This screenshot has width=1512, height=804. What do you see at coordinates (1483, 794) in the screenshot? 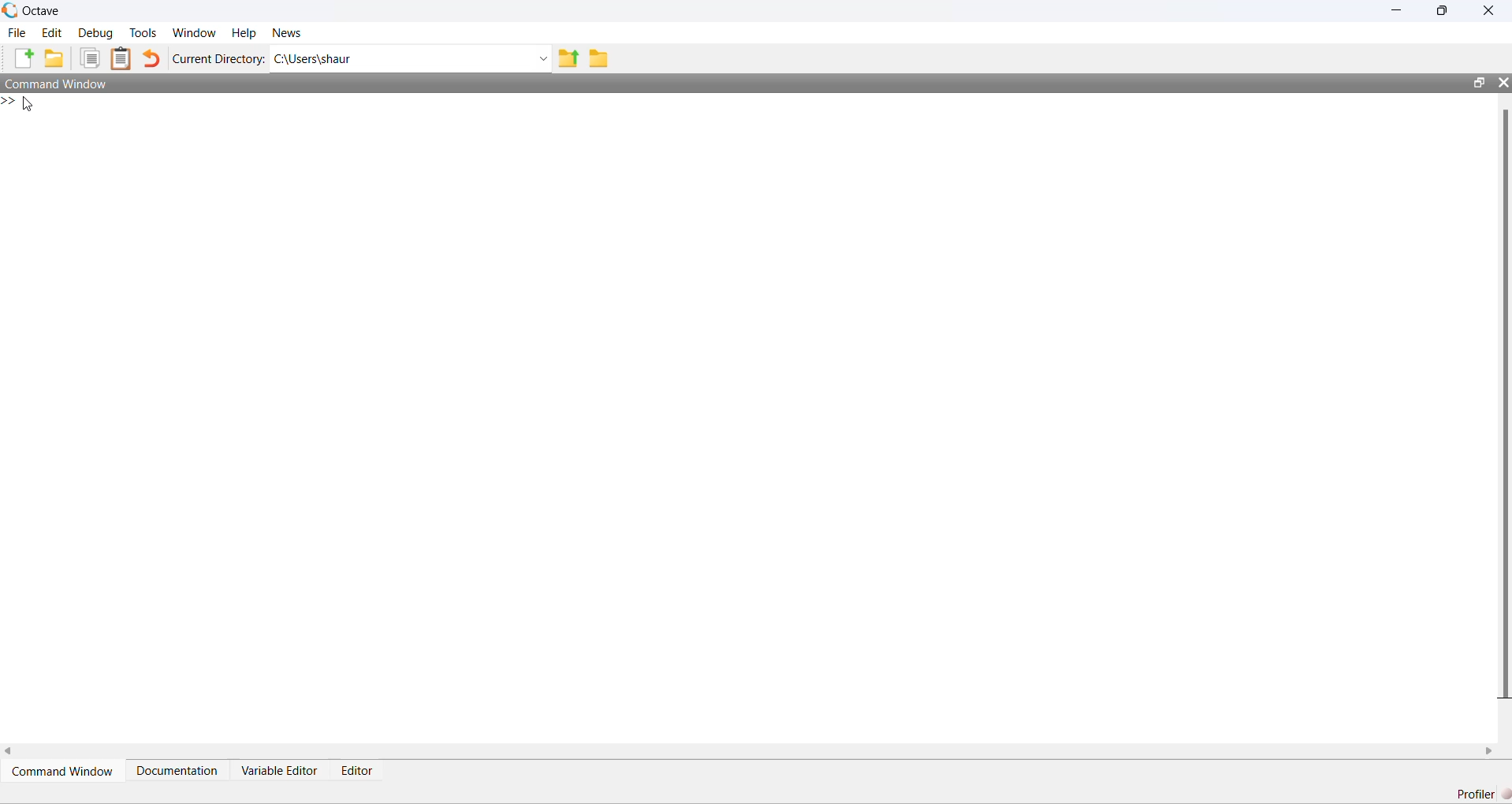
I see `Profiler` at bounding box center [1483, 794].